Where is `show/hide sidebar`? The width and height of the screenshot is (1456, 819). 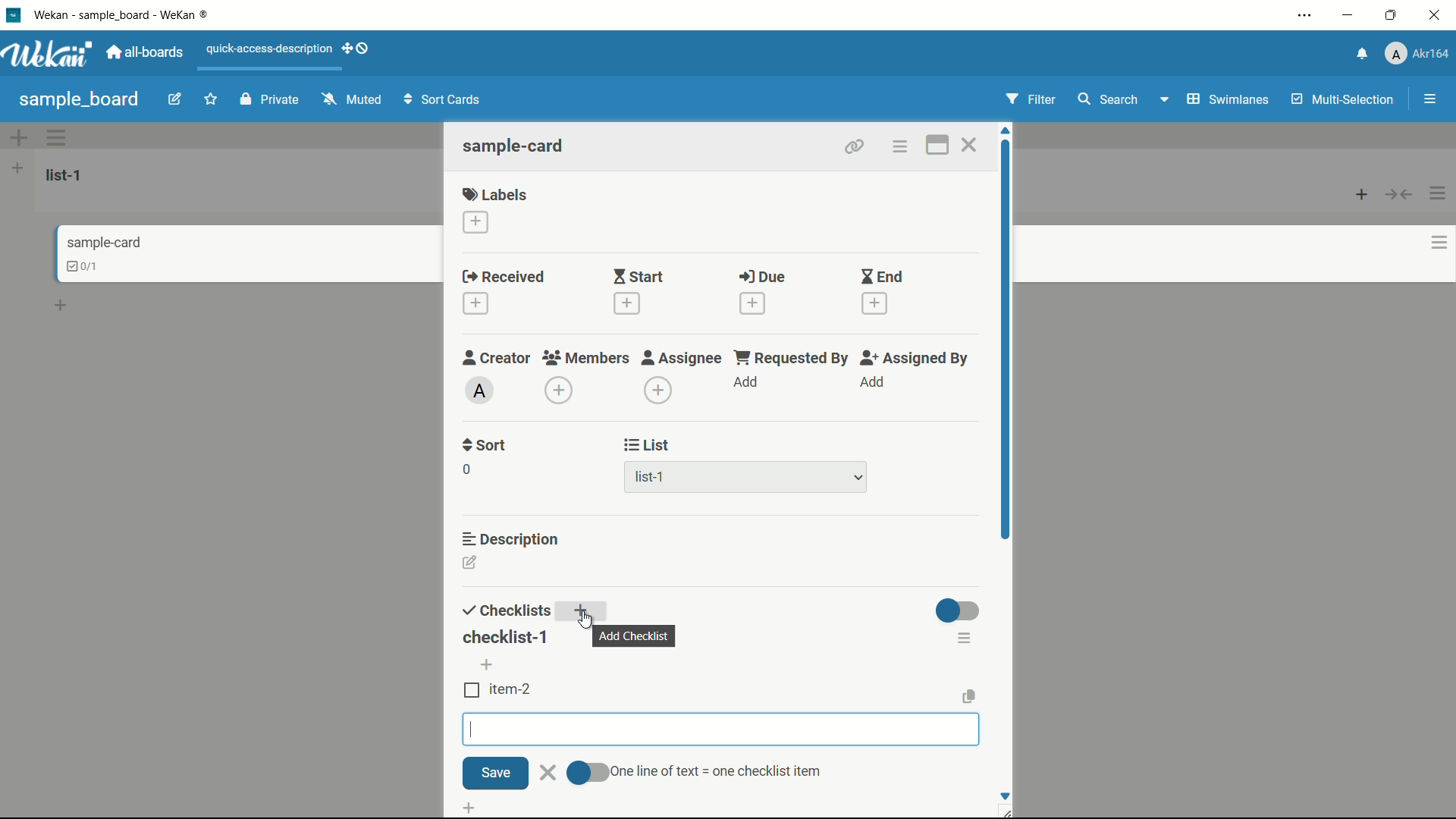 show/hide sidebar is located at coordinates (1432, 99).